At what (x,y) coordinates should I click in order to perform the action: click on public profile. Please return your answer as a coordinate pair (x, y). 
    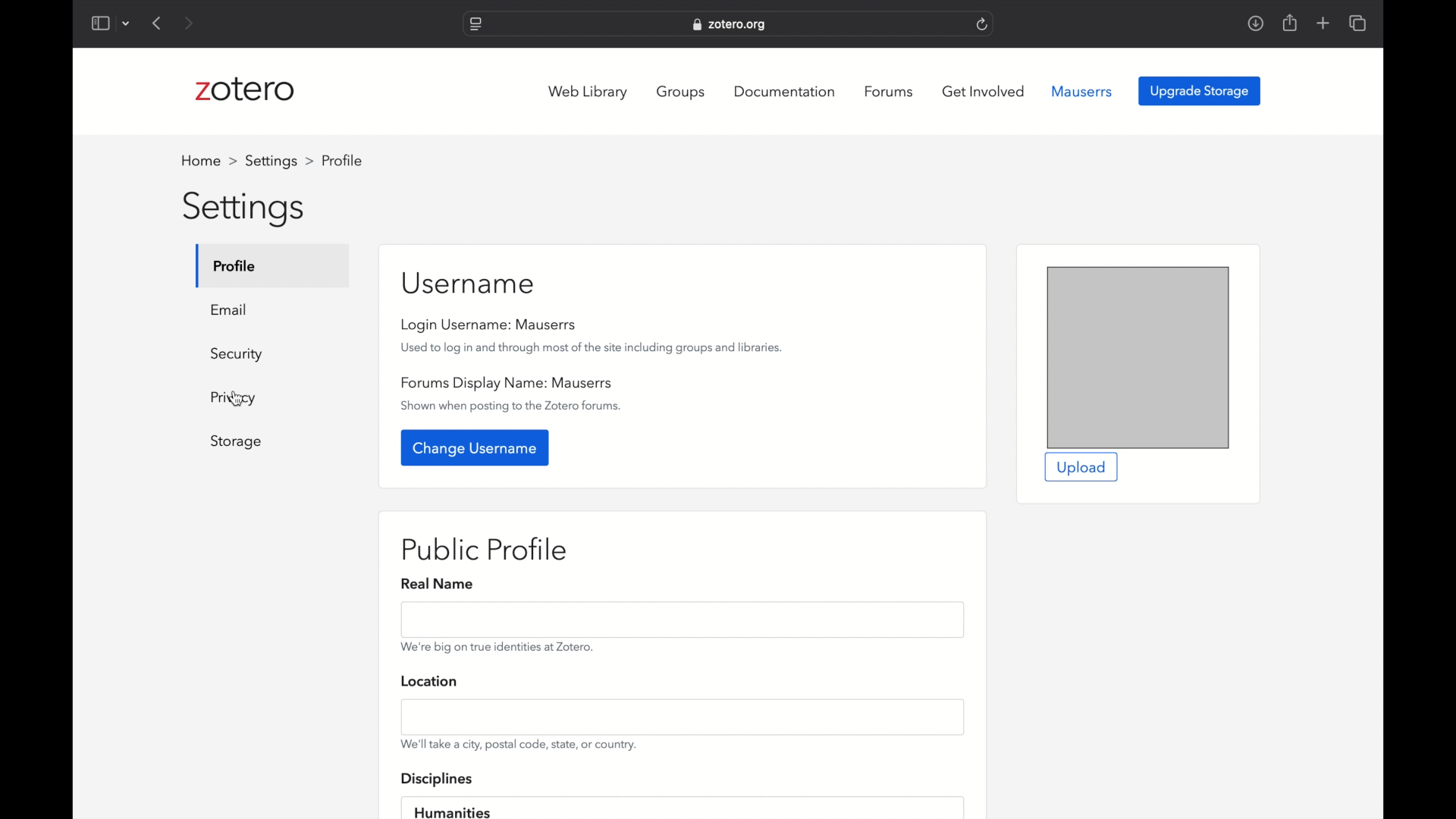
    Looking at the image, I should click on (486, 550).